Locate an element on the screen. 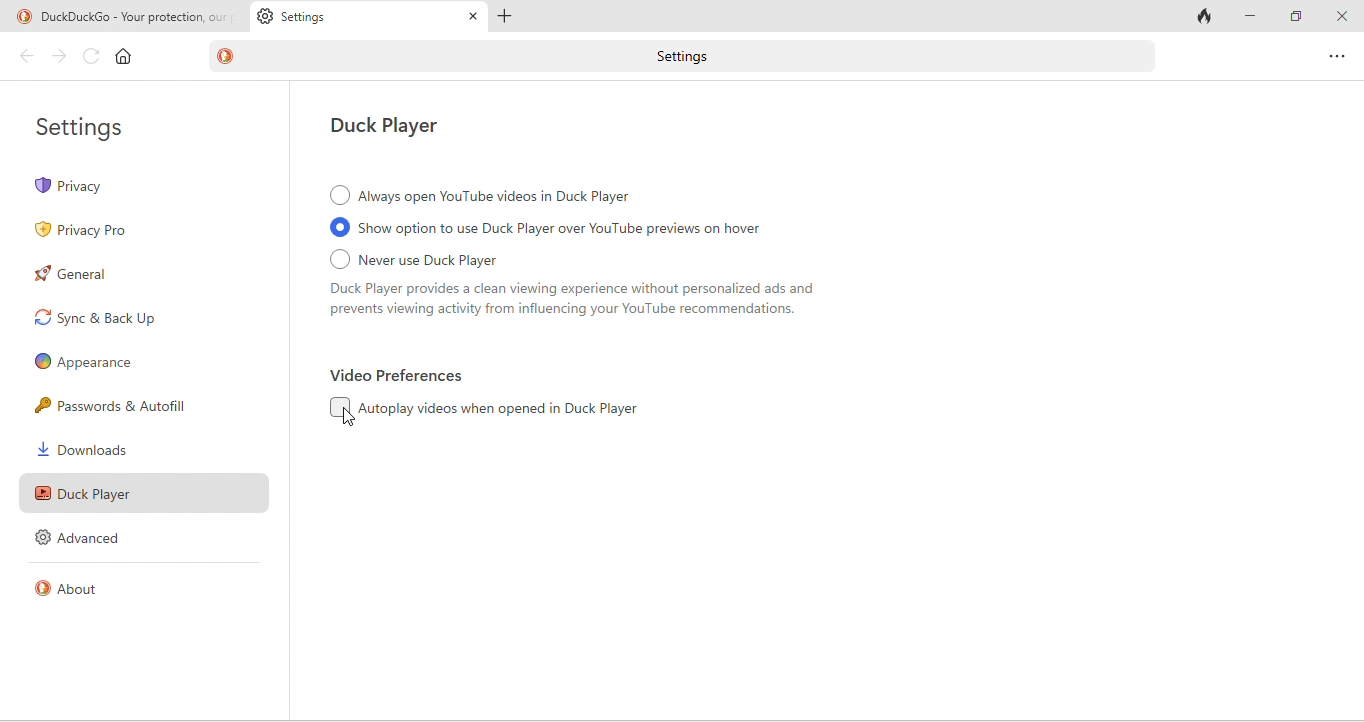 The height and width of the screenshot is (722, 1364). privacy pro is located at coordinates (95, 232).